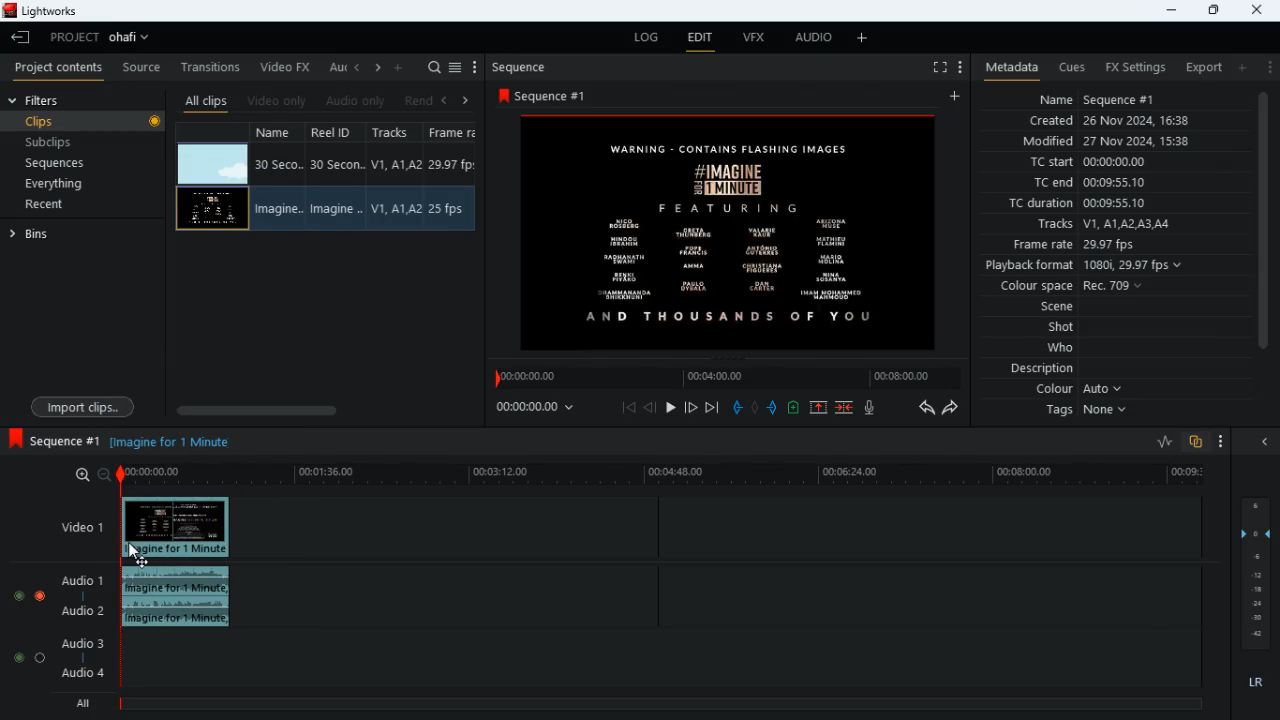  I want to click on audio clip inserted into timeline, so click(179, 599).